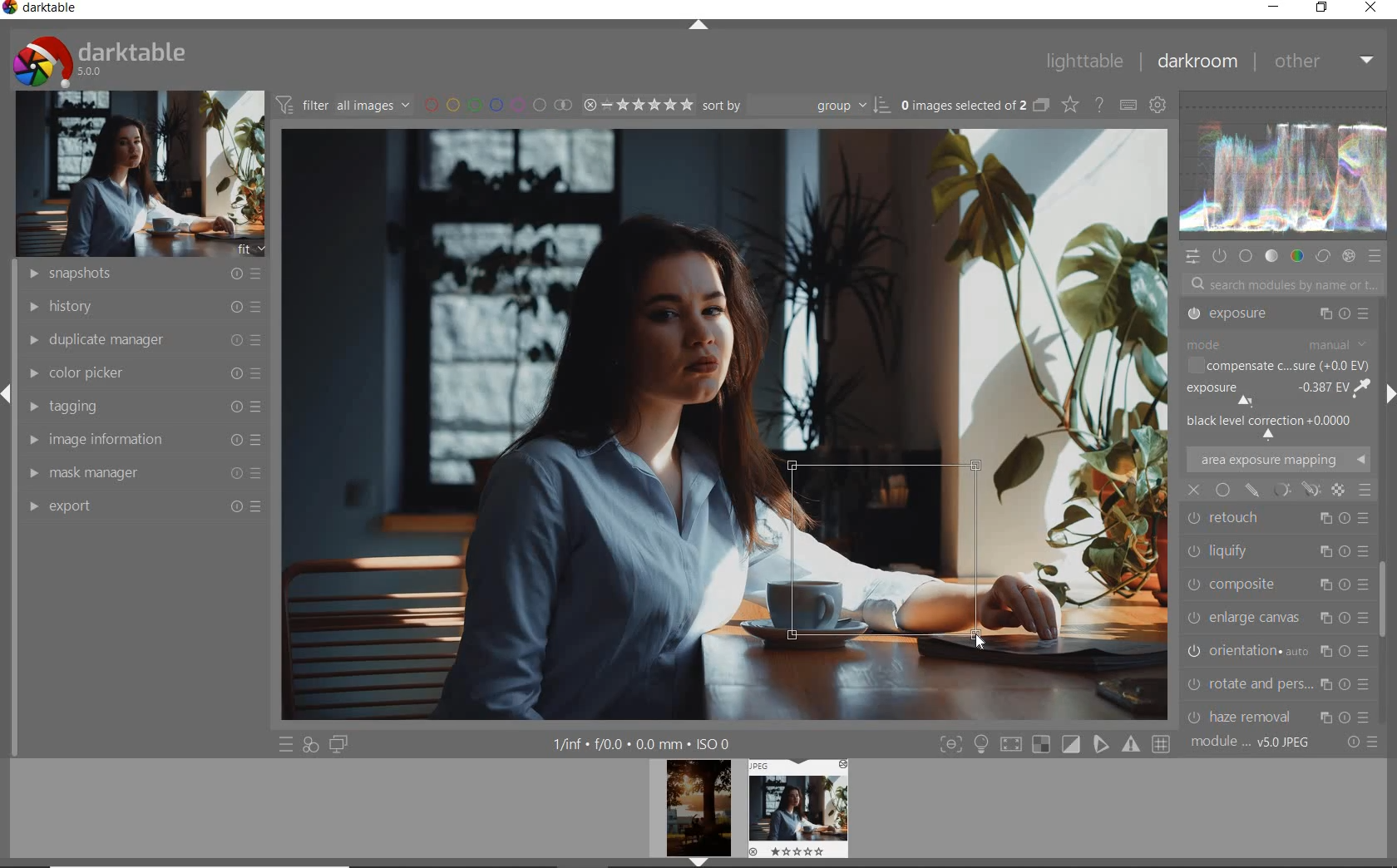 Image resolution: width=1397 pixels, height=868 pixels. I want to click on OTHER INTERFACE DETAILS, so click(643, 744).